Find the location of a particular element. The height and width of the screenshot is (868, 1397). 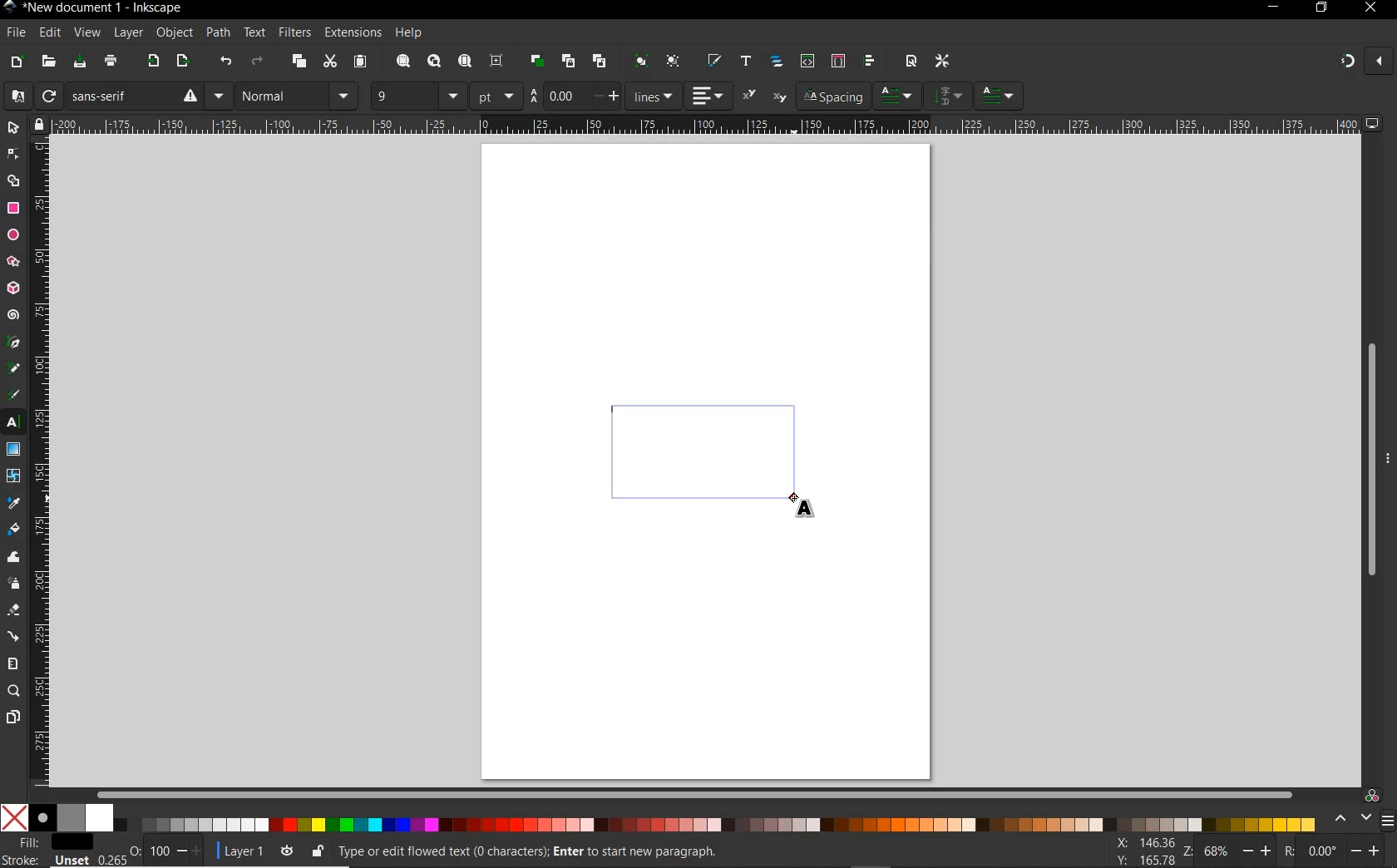

subscript is located at coordinates (780, 98).